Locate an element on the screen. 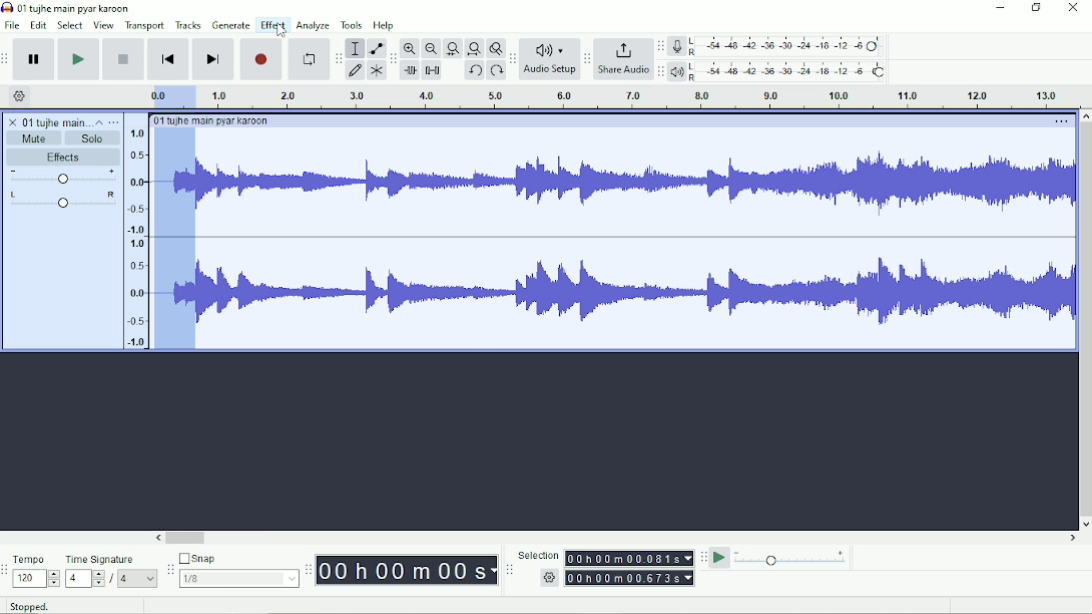  Tempo Range is located at coordinates (36, 578).